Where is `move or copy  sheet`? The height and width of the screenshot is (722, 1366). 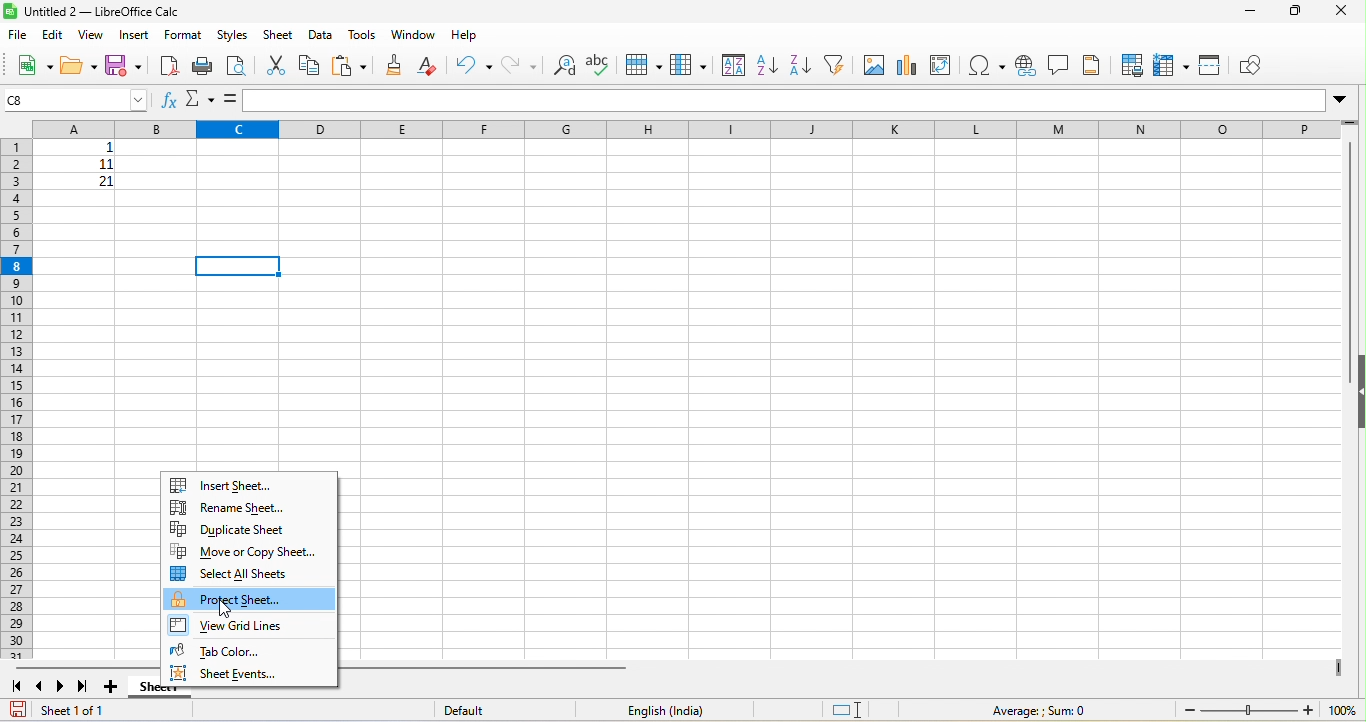 move or copy  sheet is located at coordinates (250, 552).